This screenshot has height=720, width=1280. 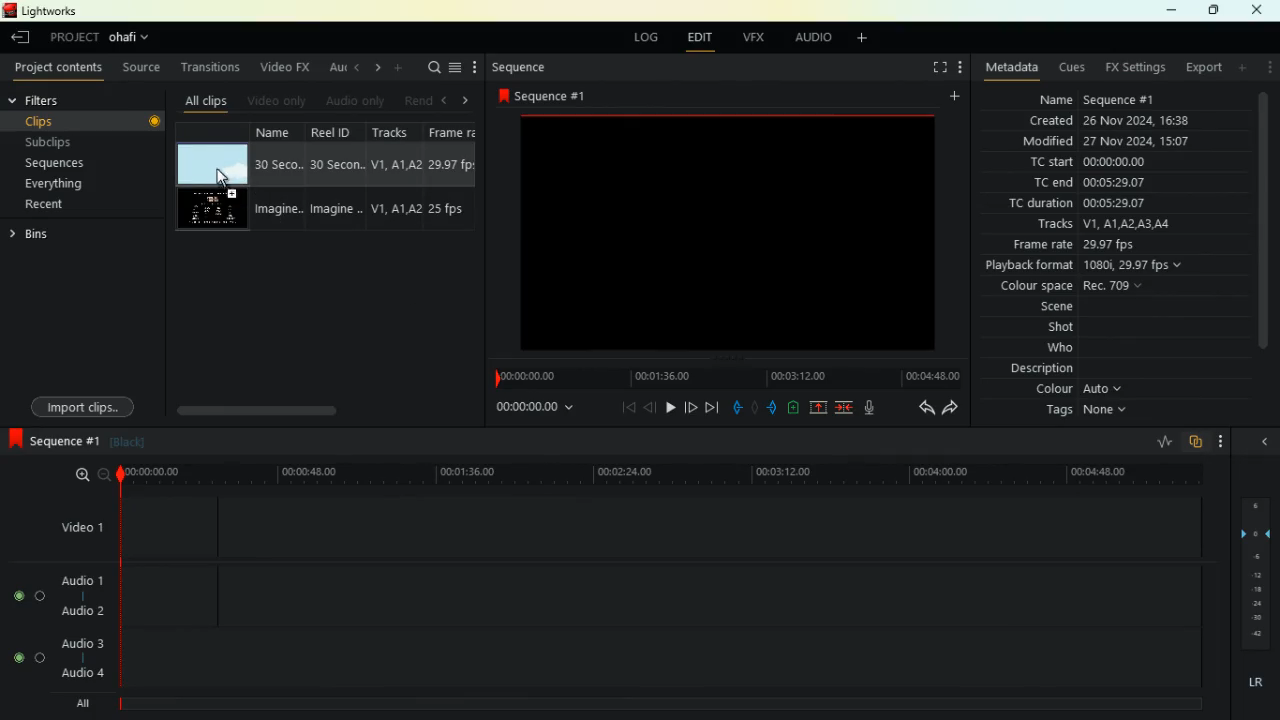 What do you see at coordinates (730, 238) in the screenshot?
I see `screen` at bounding box center [730, 238].